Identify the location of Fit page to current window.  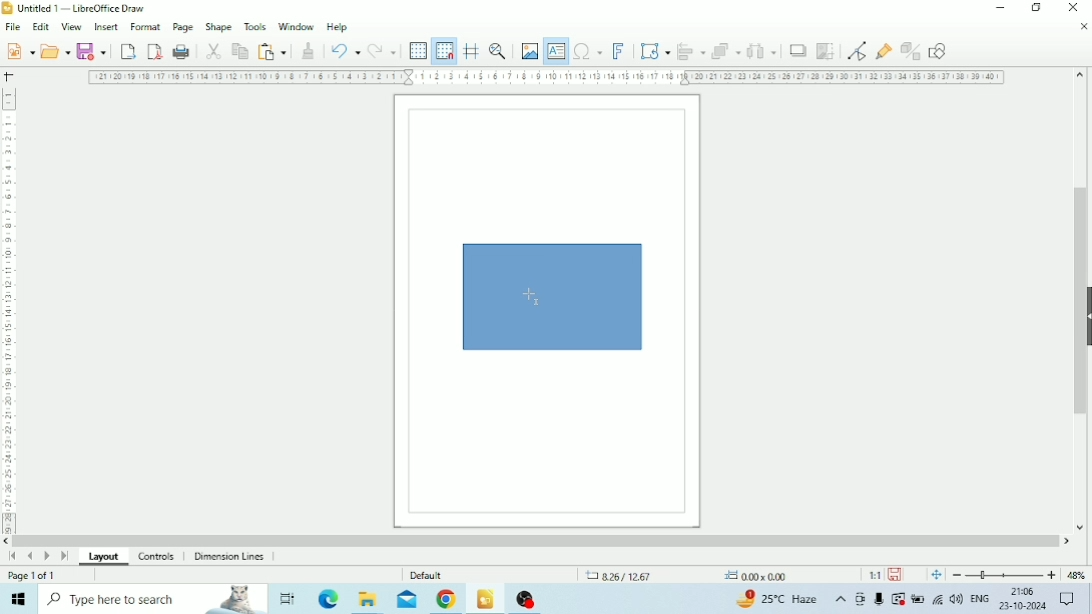
(936, 575).